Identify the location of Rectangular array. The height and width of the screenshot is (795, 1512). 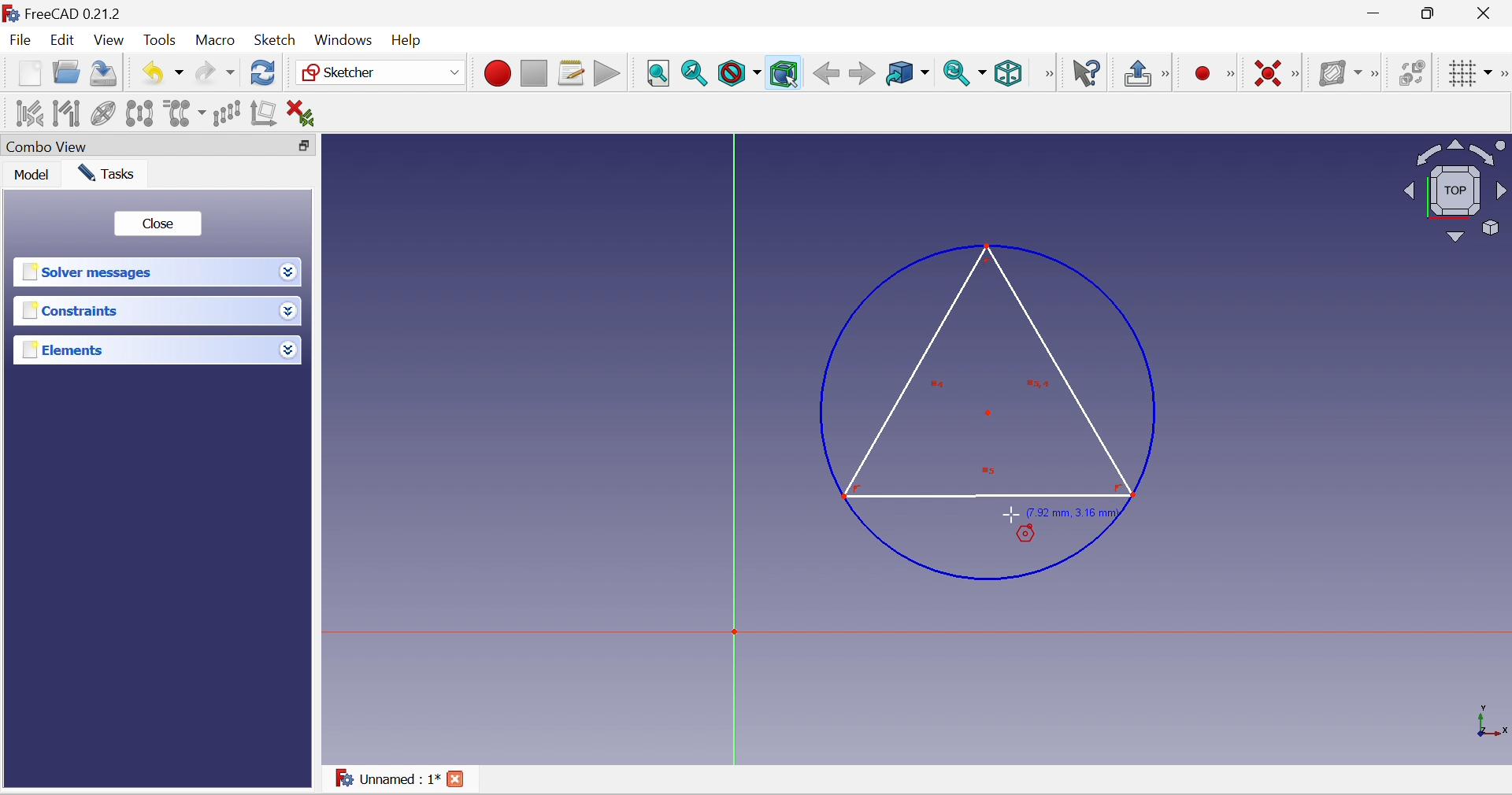
(228, 113).